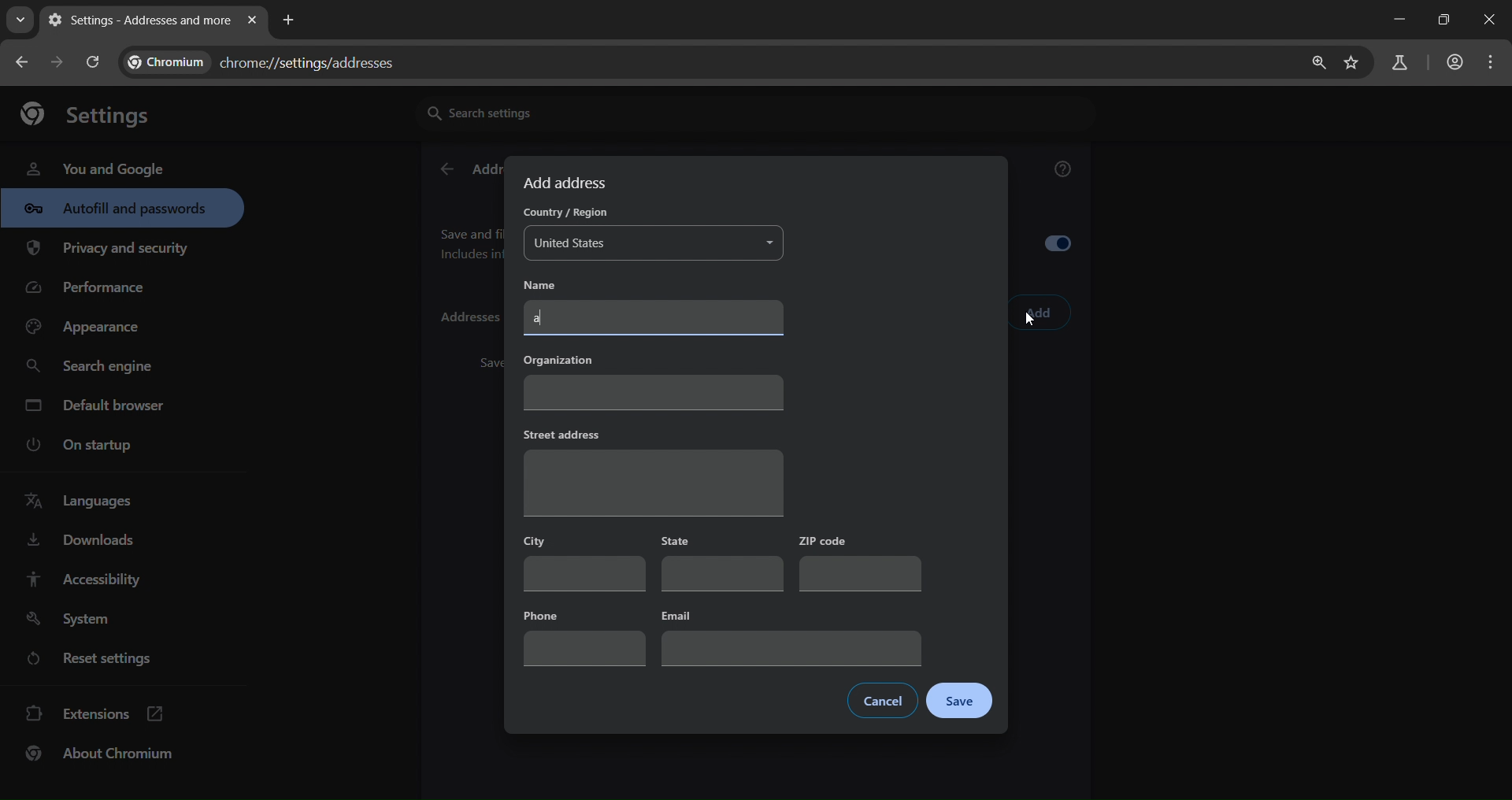  Describe the element at coordinates (60, 61) in the screenshot. I see `go back one page` at that location.